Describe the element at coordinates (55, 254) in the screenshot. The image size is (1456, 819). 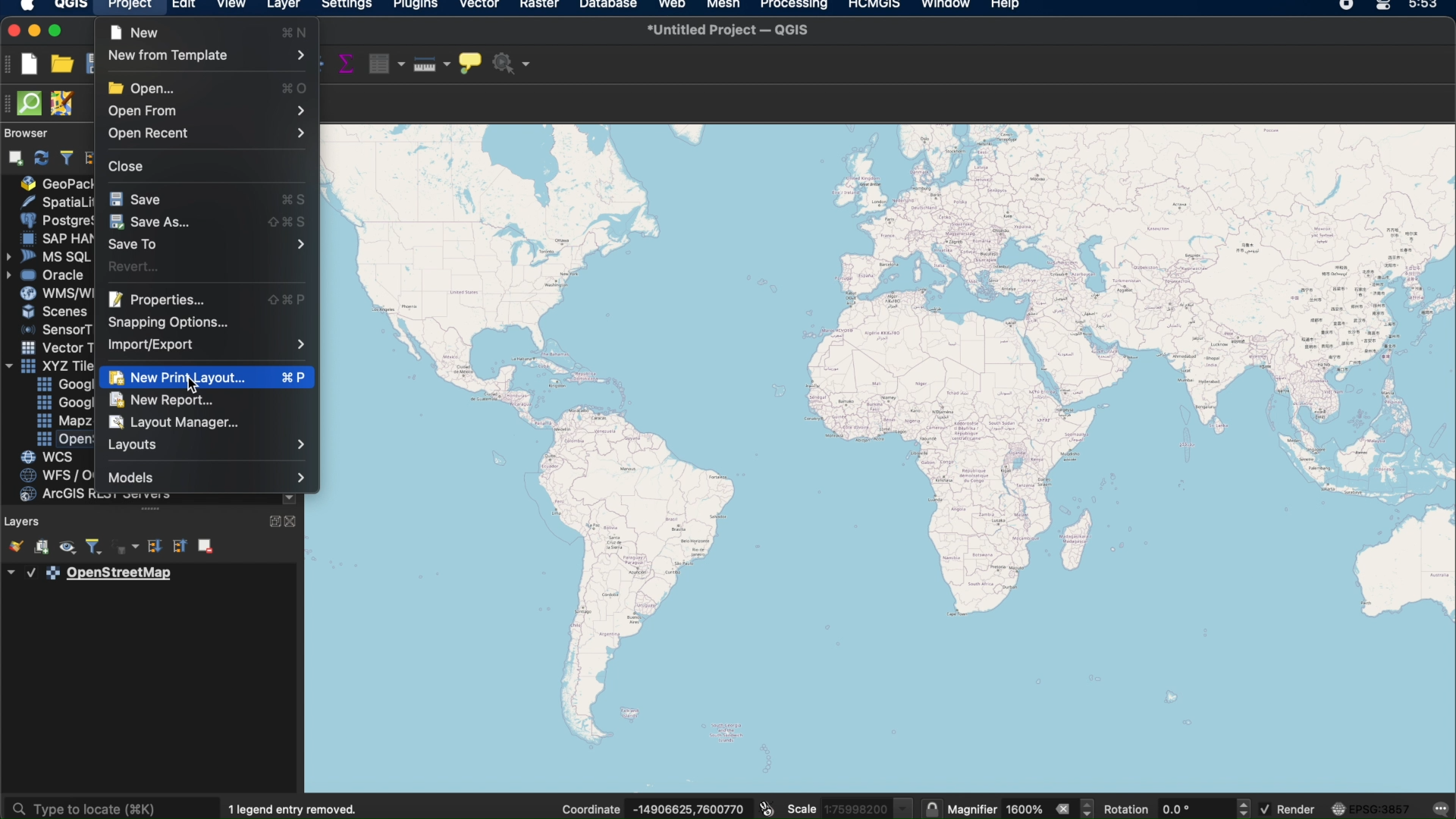
I see `» MS SQL` at that location.